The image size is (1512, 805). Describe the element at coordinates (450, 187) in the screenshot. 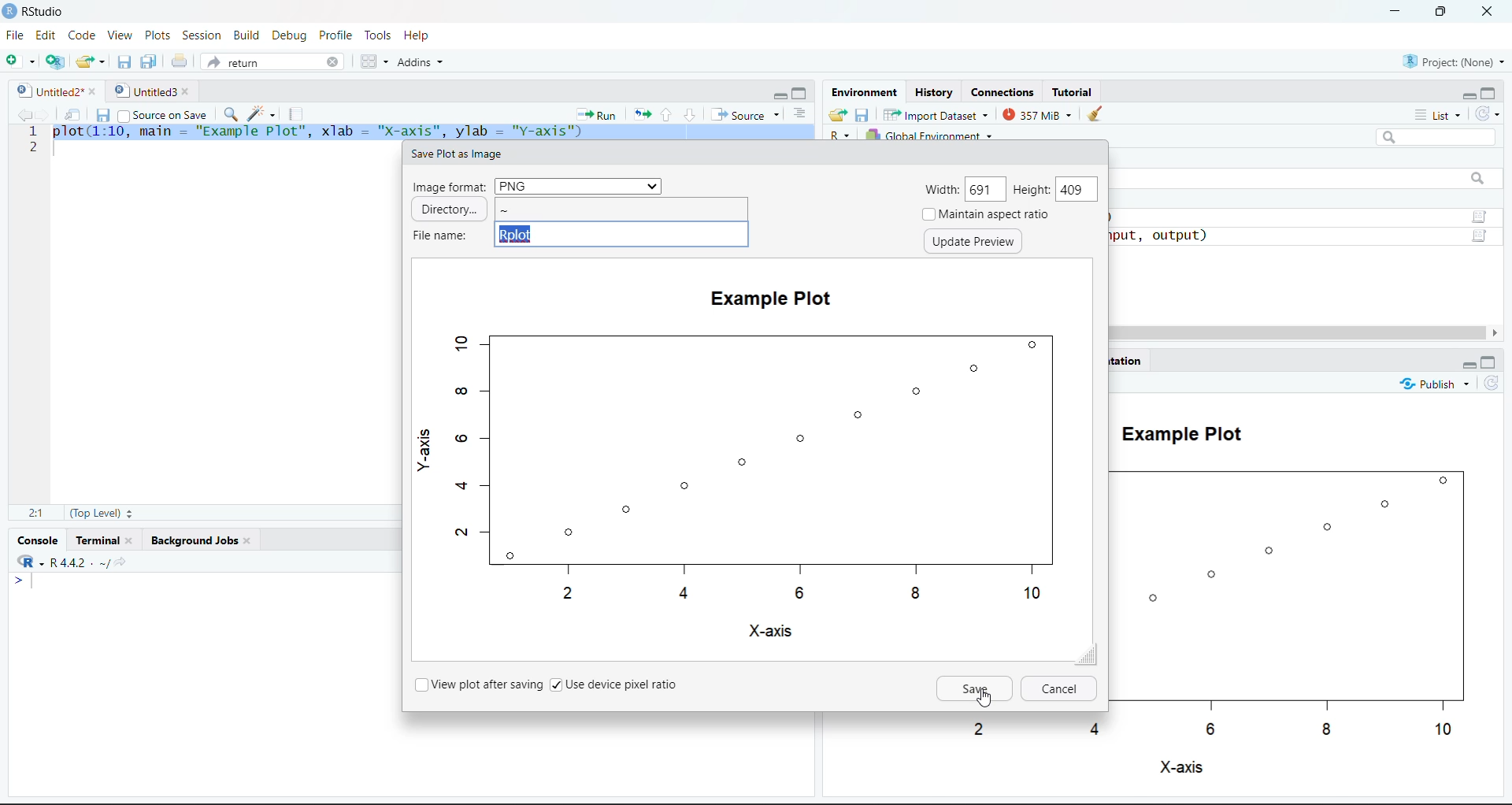

I see `| Image format:` at that location.